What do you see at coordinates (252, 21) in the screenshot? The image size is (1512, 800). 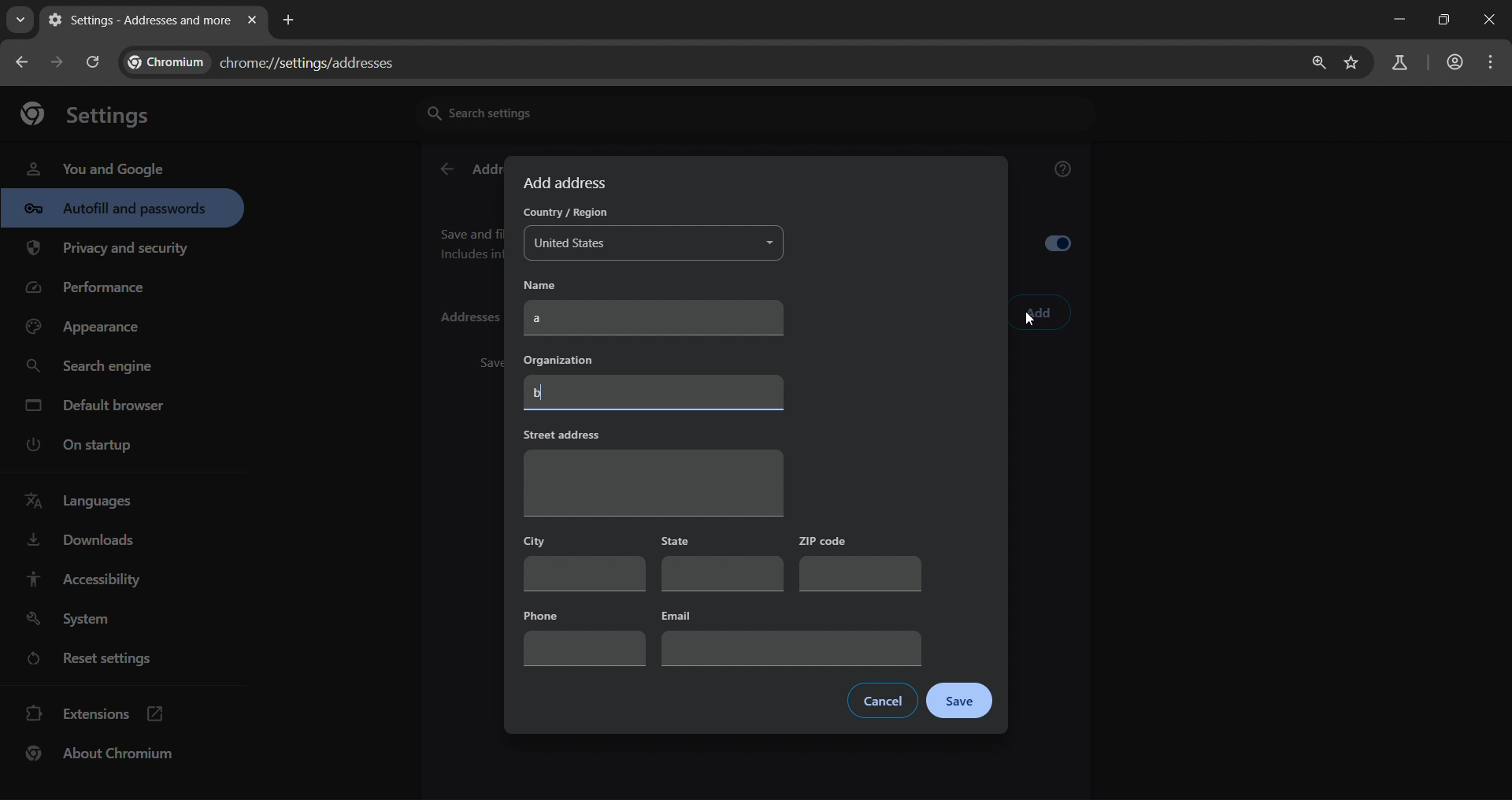 I see `close tab` at bounding box center [252, 21].